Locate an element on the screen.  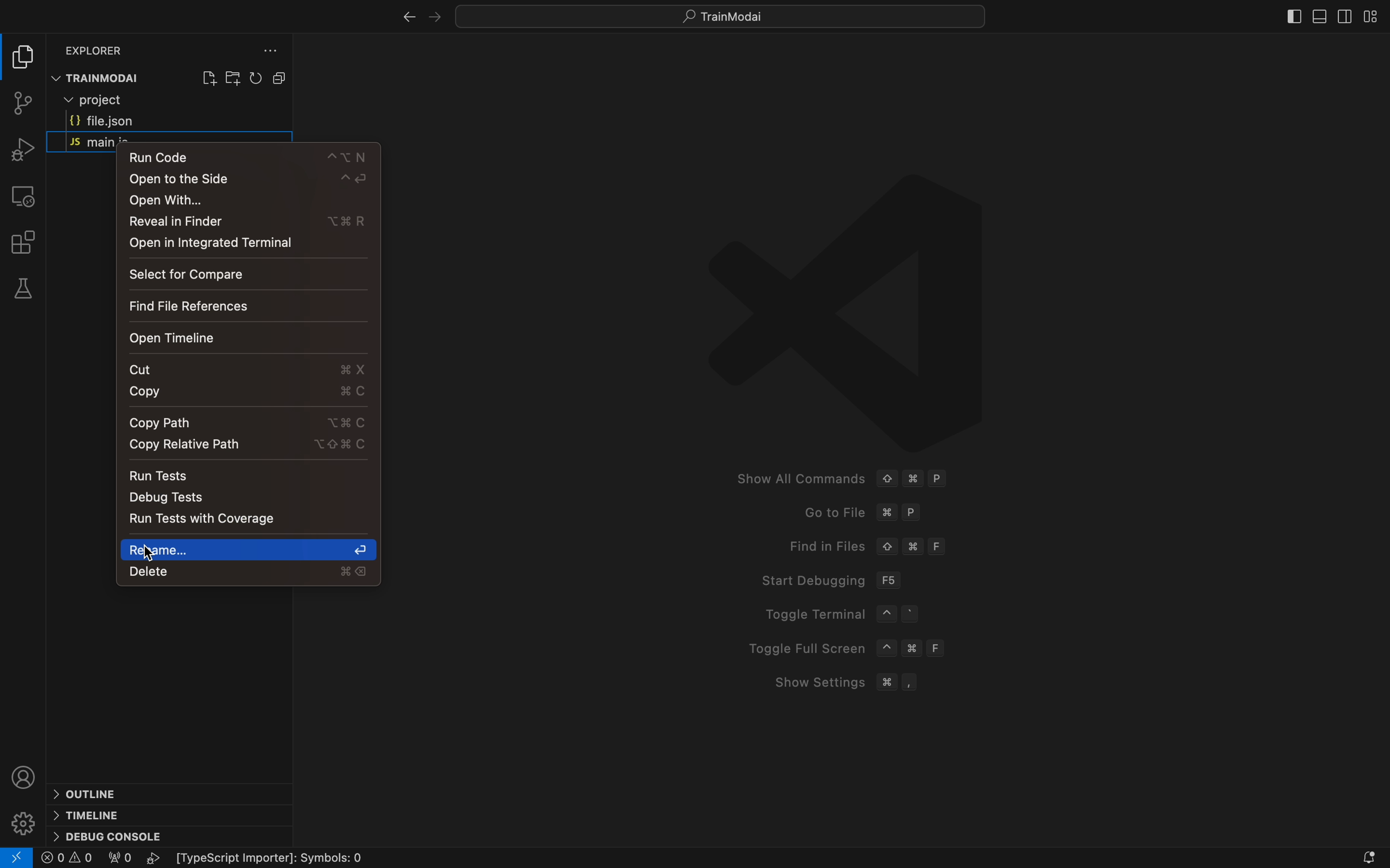
debug tests is located at coordinates (248, 497).